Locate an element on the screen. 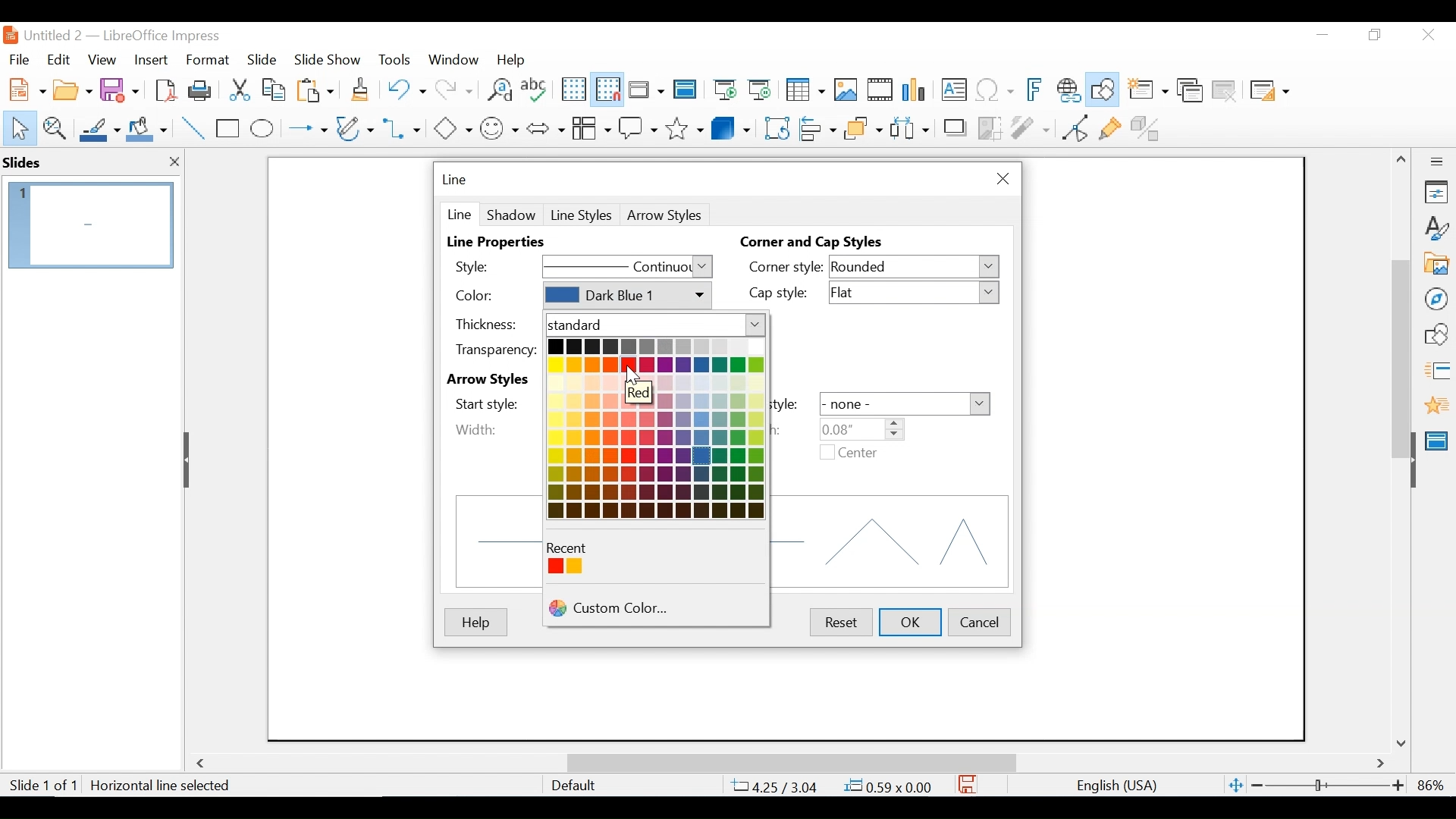 The width and height of the screenshot is (1456, 819). Shadow is located at coordinates (511, 214).